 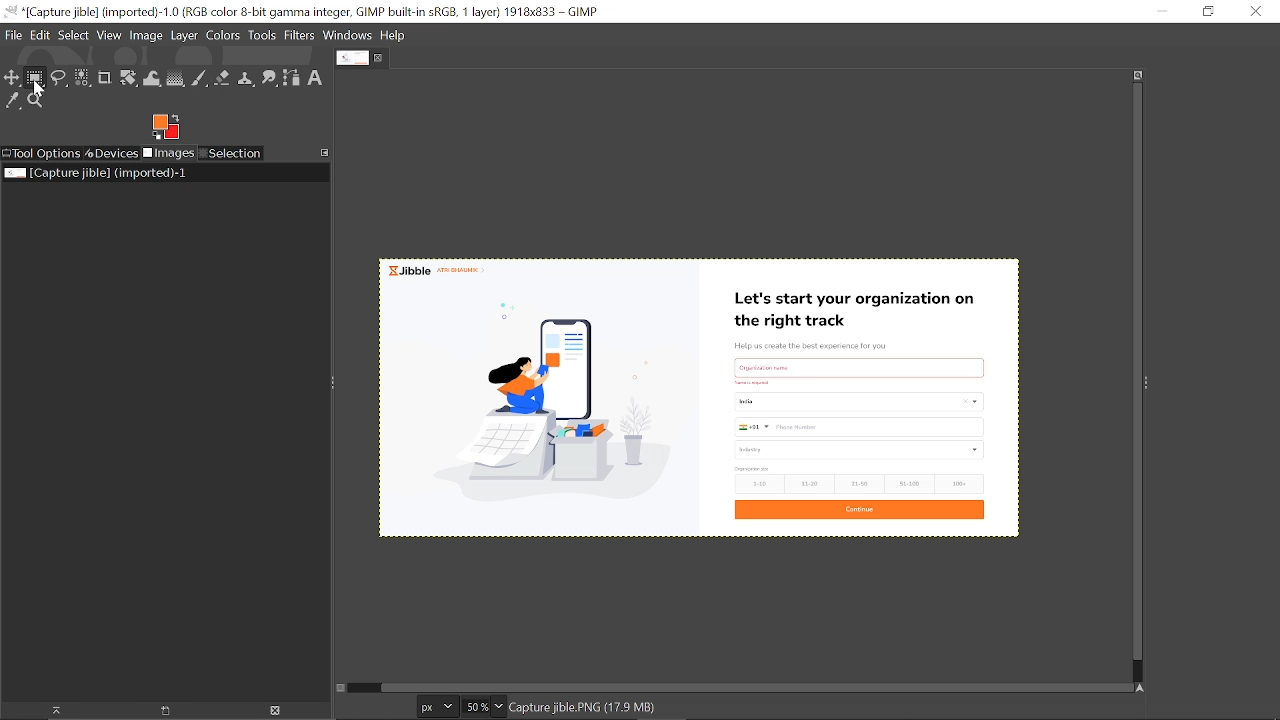 What do you see at coordinates (1139, 687) in the screenshot?
I see `Navigate this window` at bounding box center [1139, 687].